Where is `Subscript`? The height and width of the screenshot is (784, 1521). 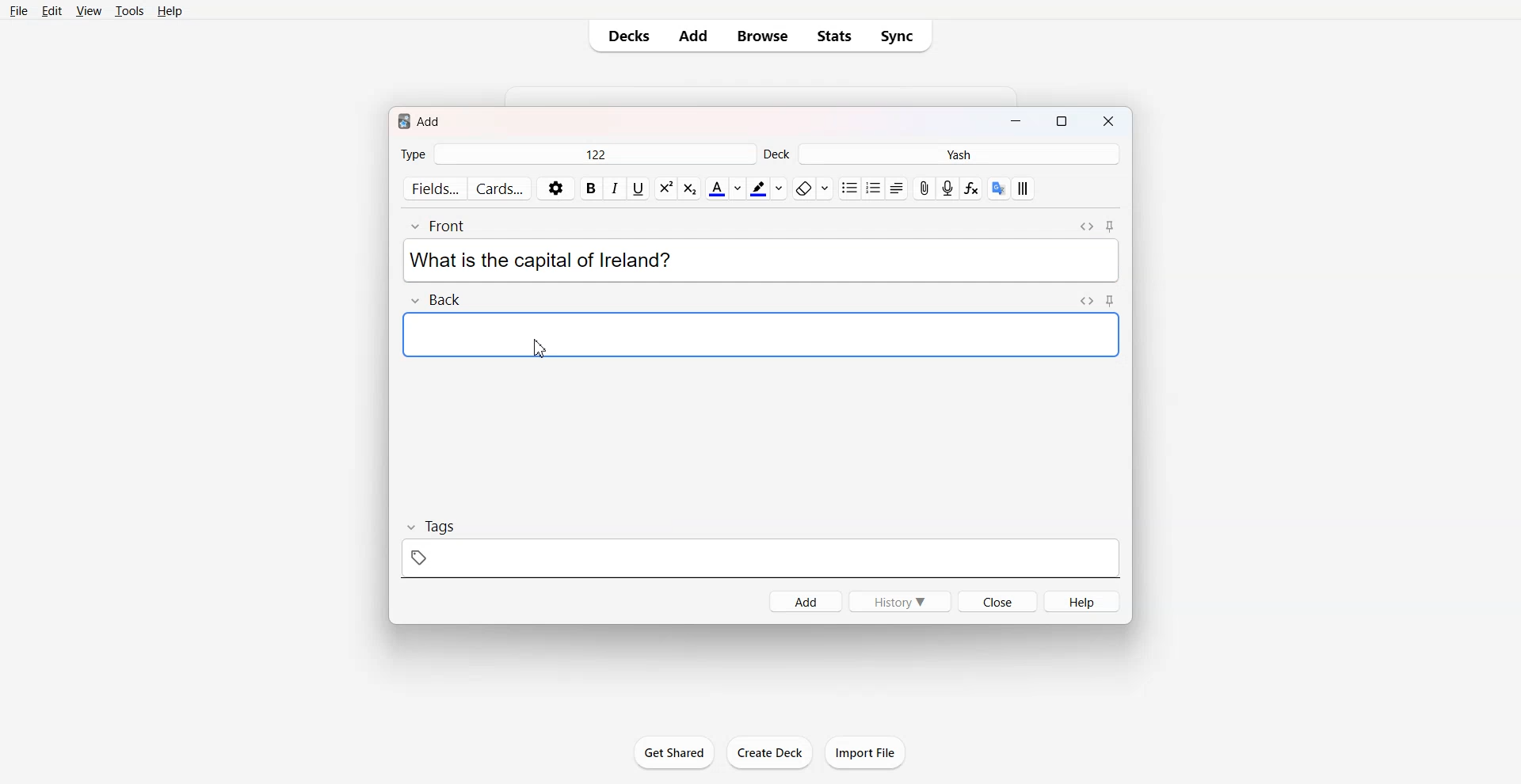
Subscript is located at coordinates (665, 188).